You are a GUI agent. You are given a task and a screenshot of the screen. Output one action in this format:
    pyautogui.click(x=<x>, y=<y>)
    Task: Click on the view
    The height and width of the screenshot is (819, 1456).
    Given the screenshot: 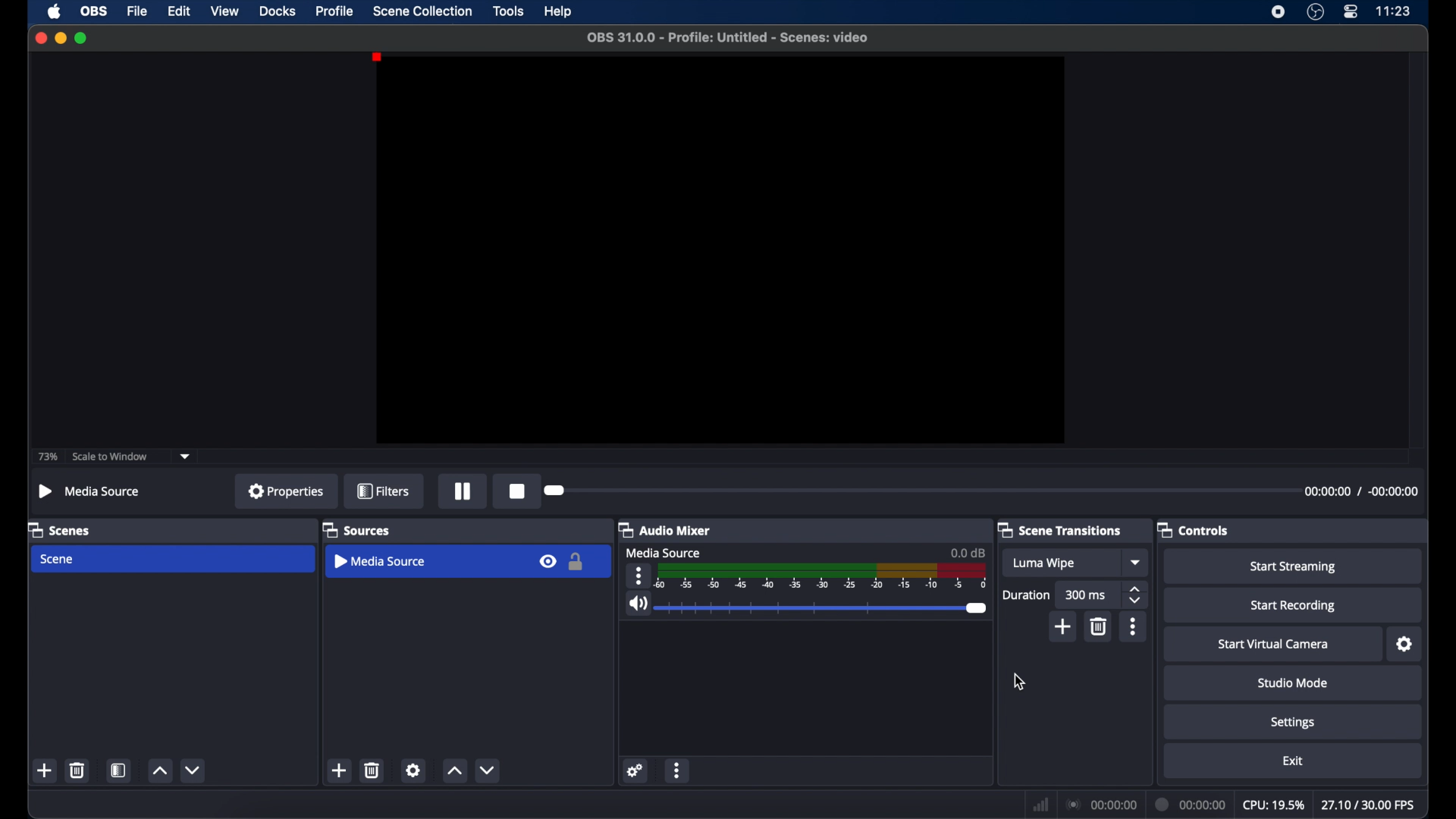 What is the action you would take?
    pyautogui.click(x=224, y=11)
    